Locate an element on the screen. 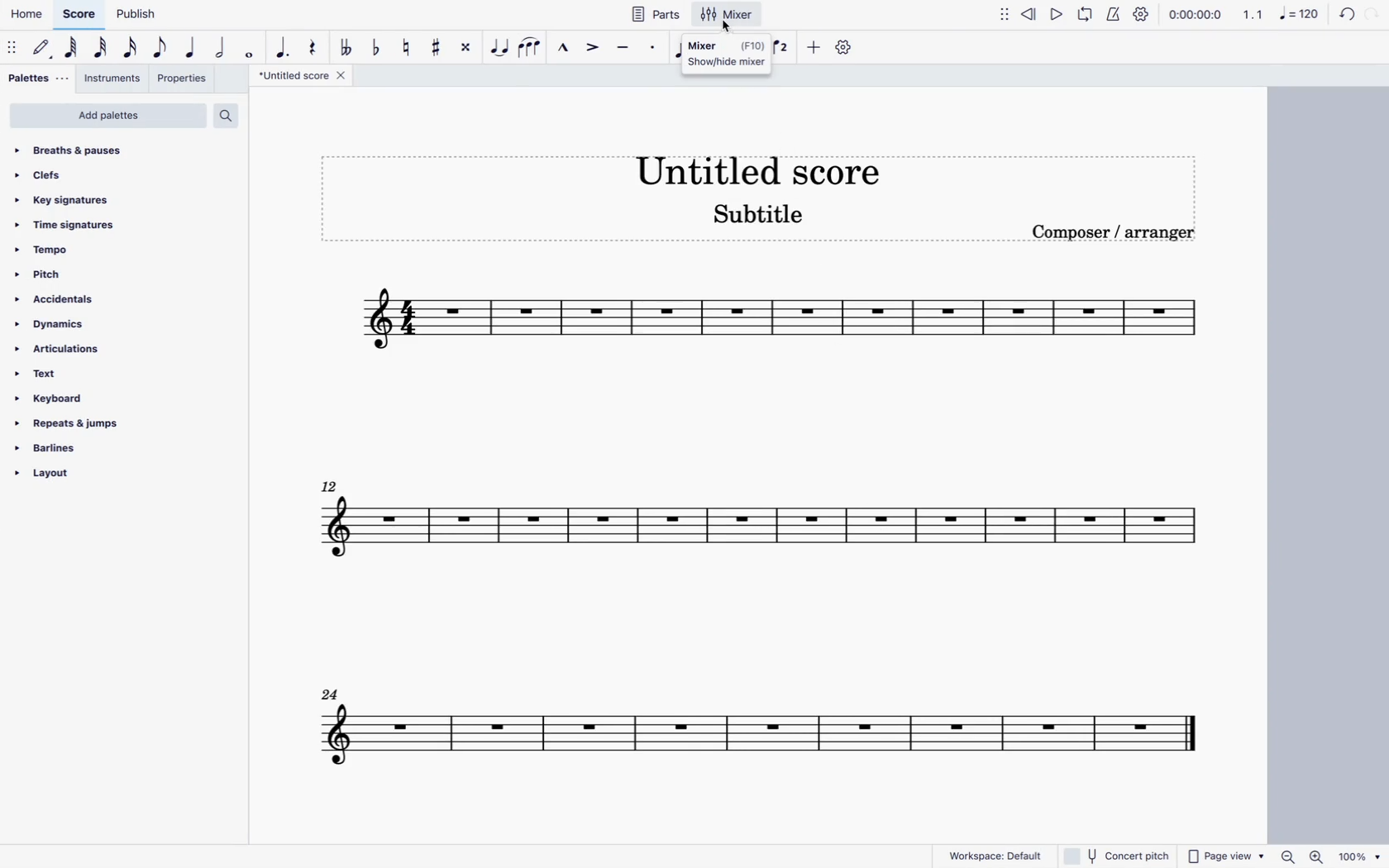 This screenshot has width=1389, height=868. cursor is located at coordinates (729, 30).